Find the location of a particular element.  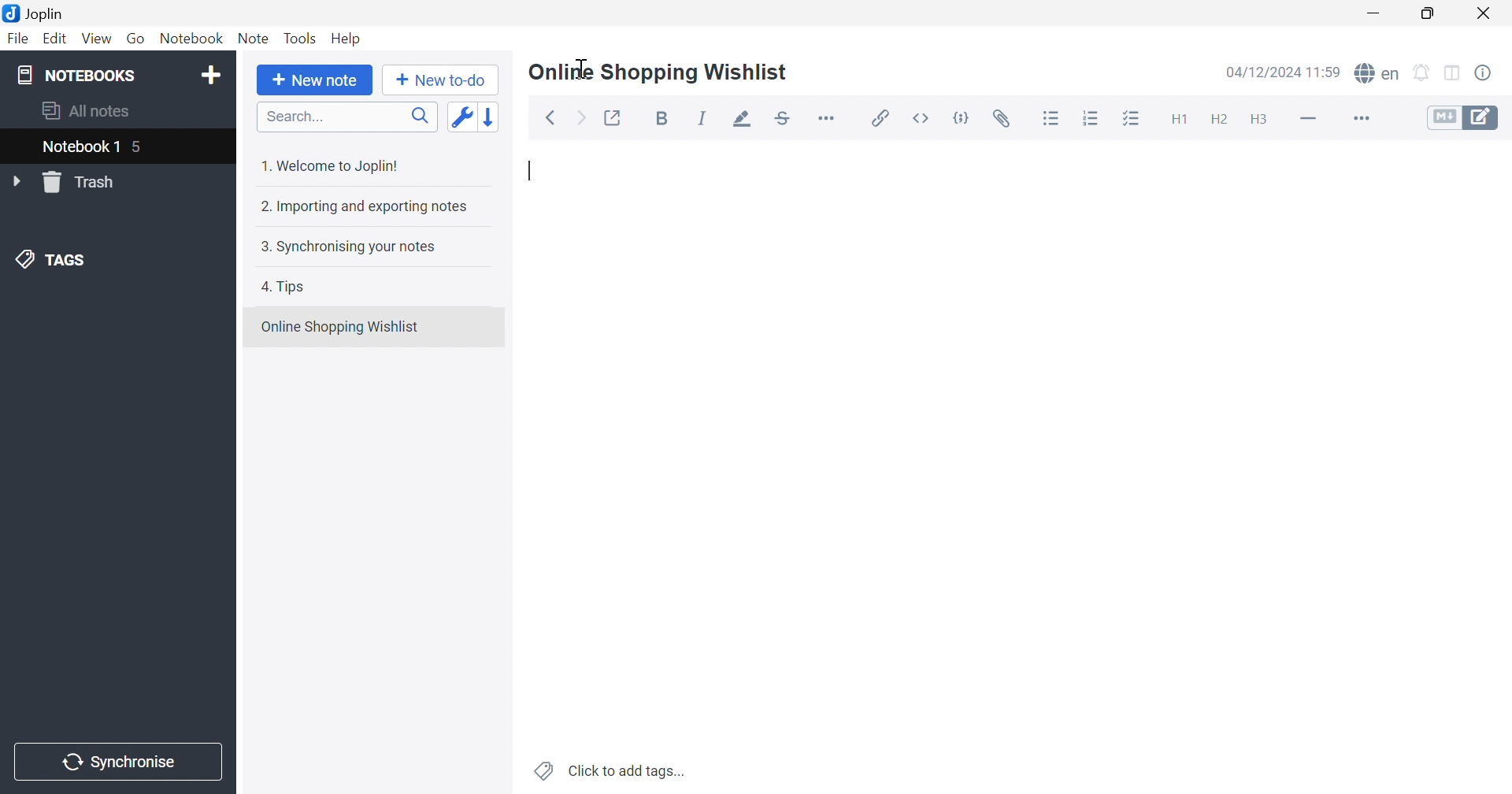

Italic is located at coordinates (702, 118).